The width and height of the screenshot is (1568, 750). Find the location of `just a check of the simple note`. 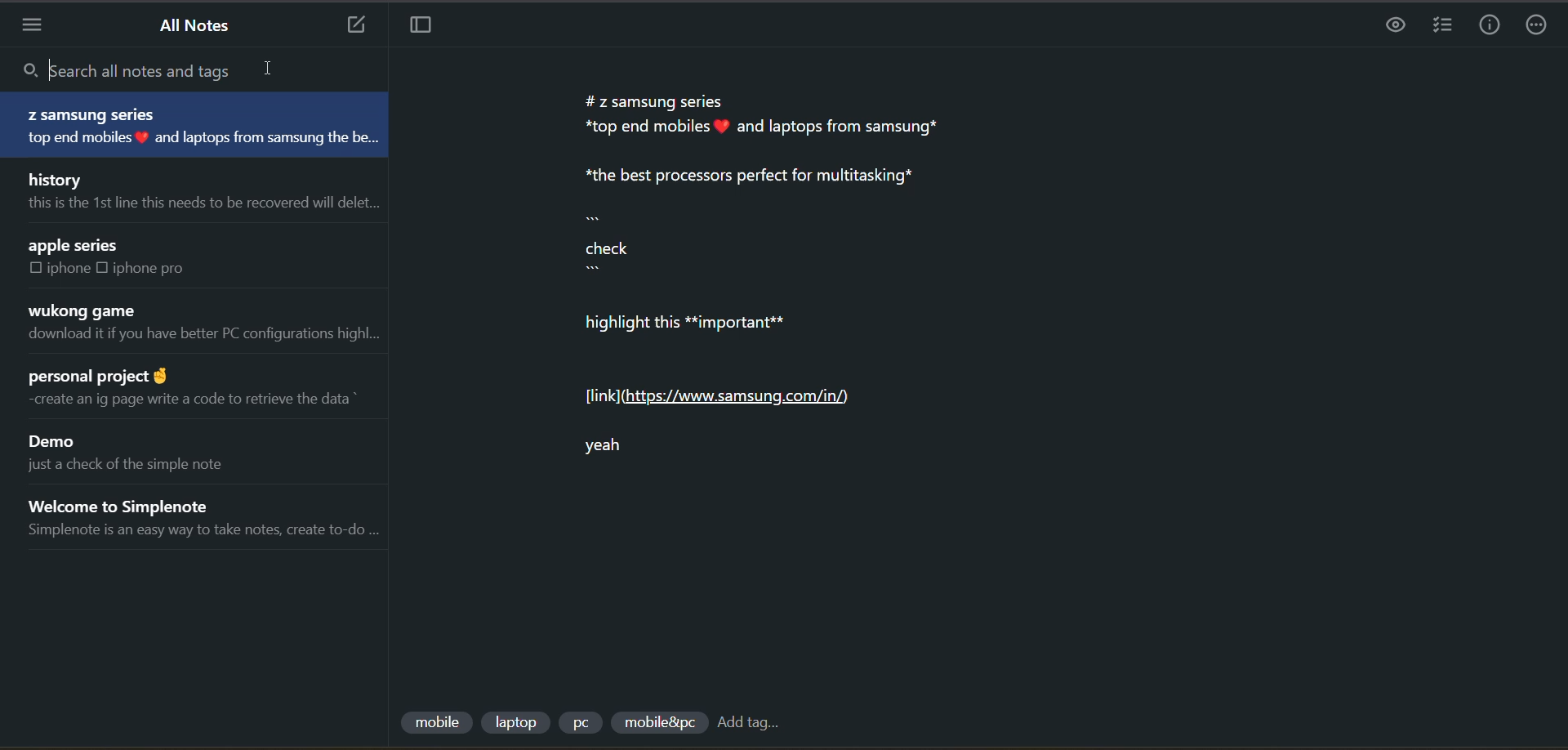

just a check of the simple note is located at coordinates (126, 466).